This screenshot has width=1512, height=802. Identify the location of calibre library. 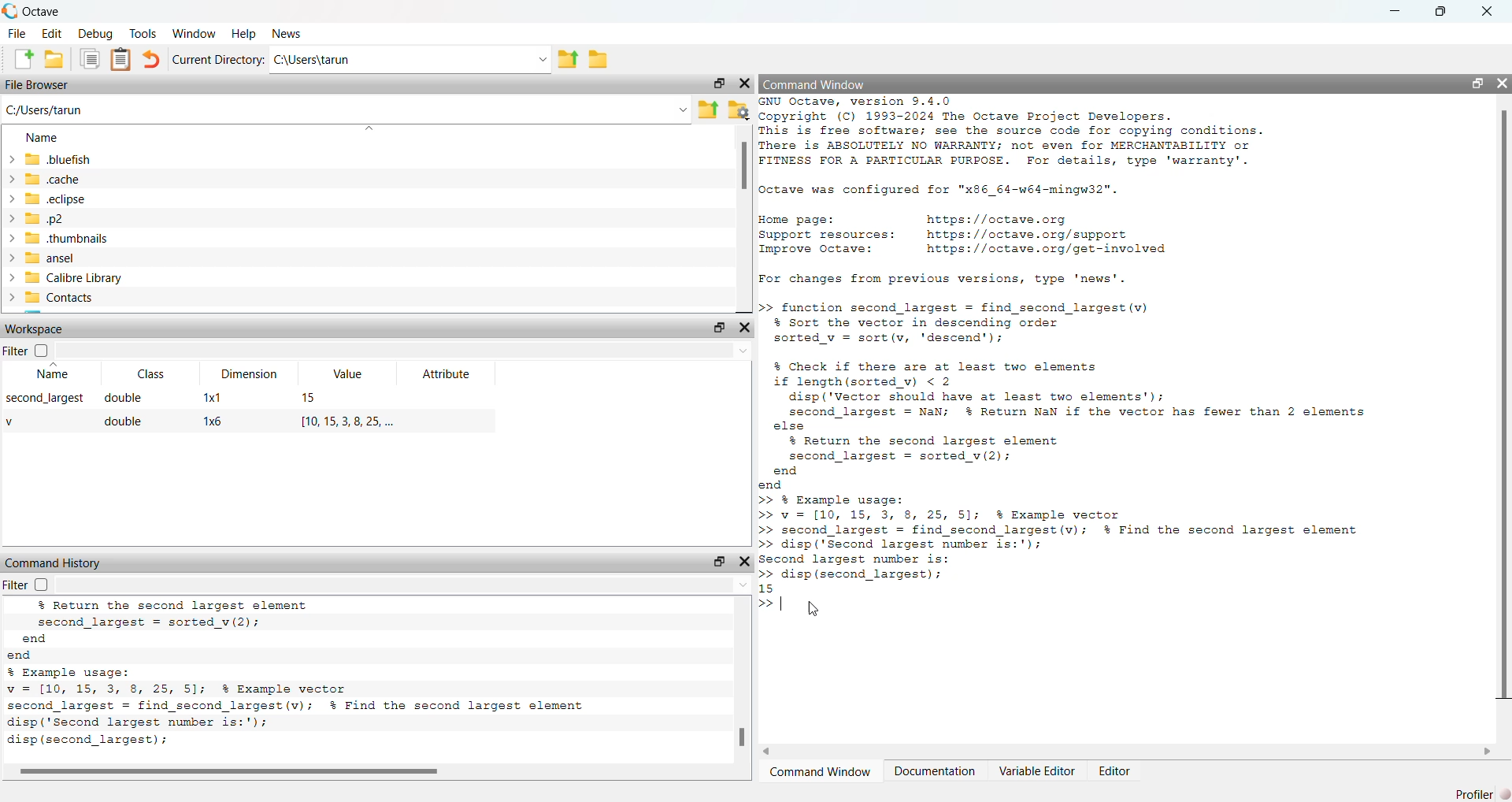
(80, 277).